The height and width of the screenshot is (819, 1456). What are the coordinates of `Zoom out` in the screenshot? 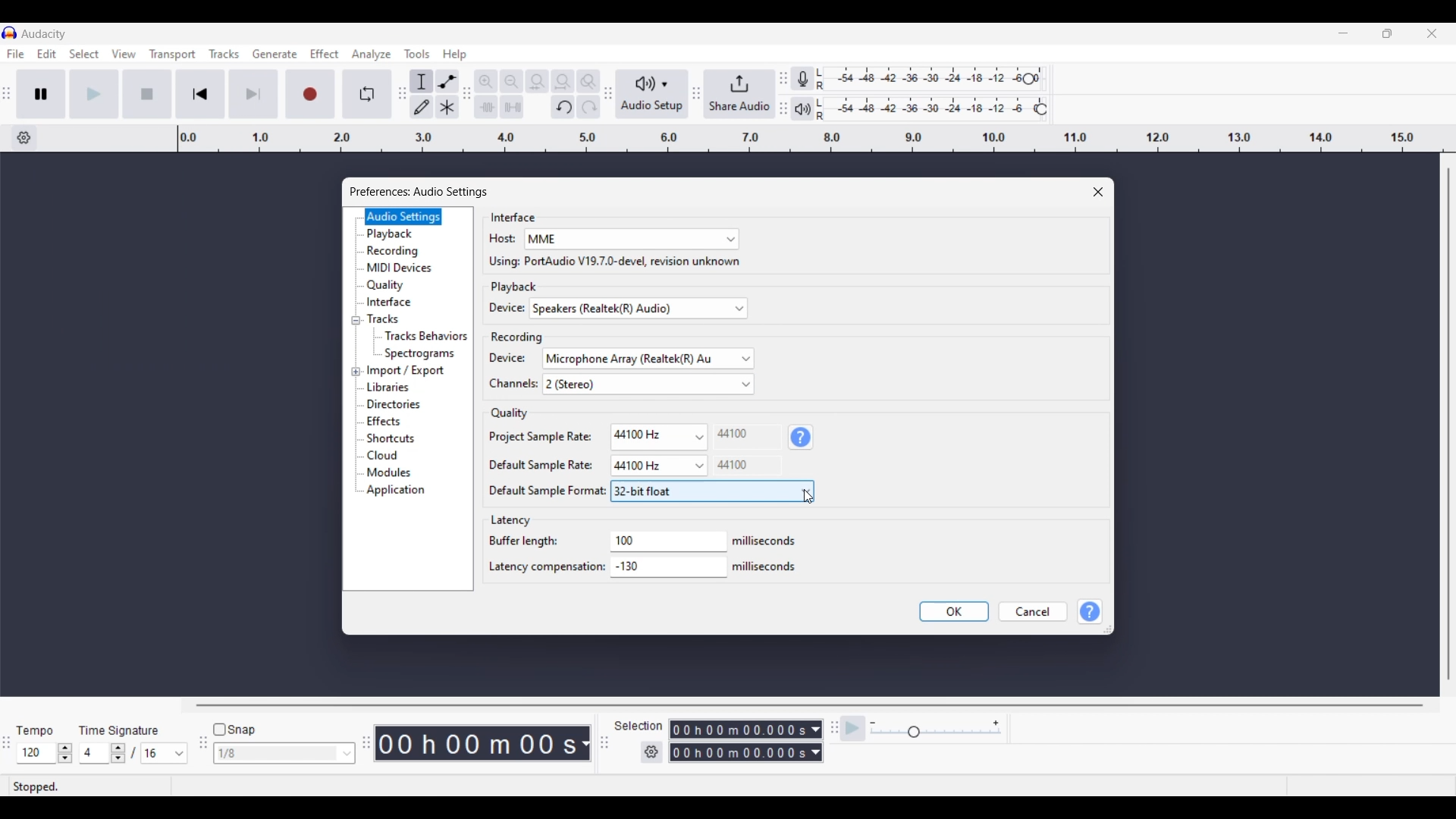 It's located at (511, 81).